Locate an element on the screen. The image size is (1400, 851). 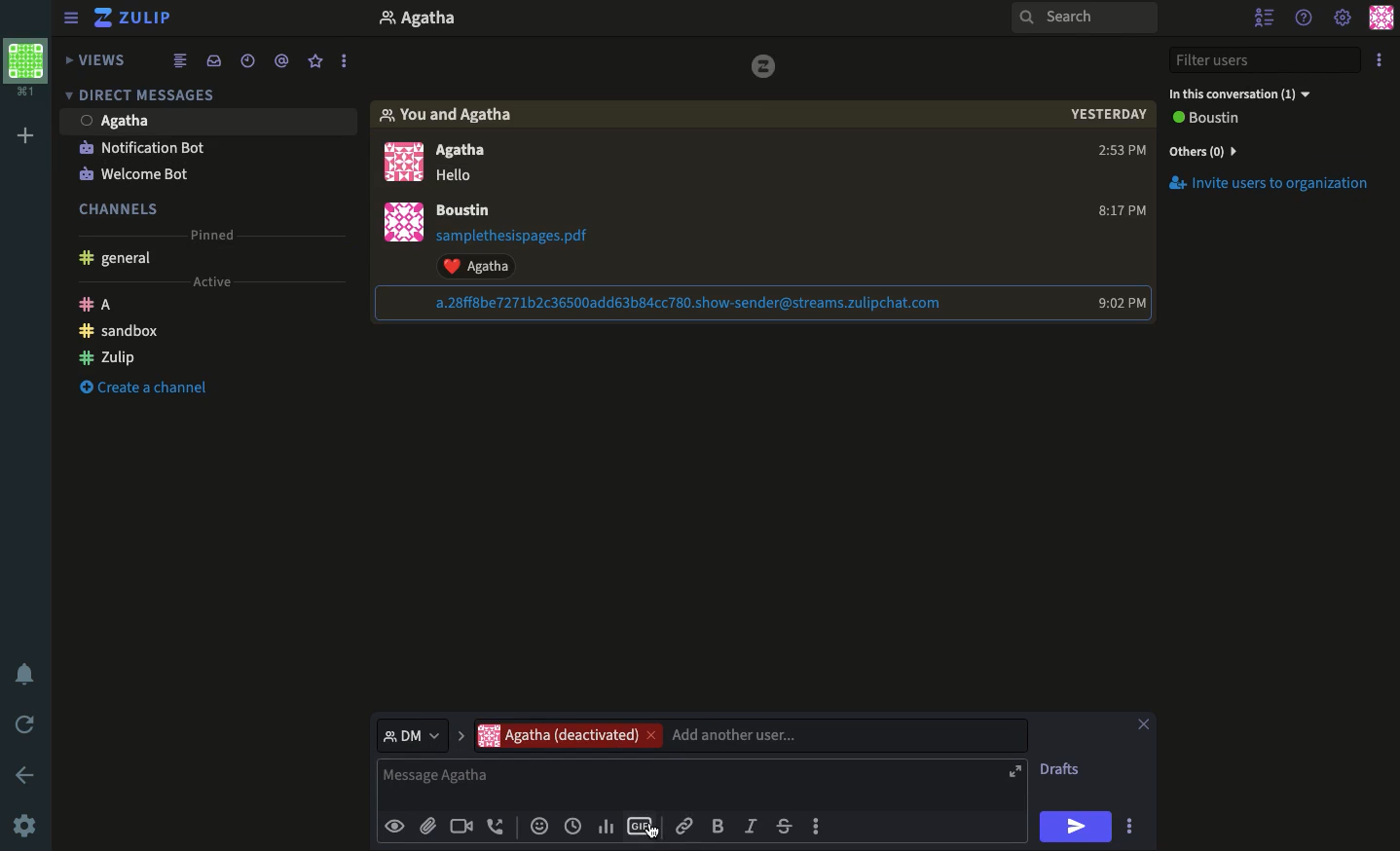
time is located at coordinates (1115, 153).